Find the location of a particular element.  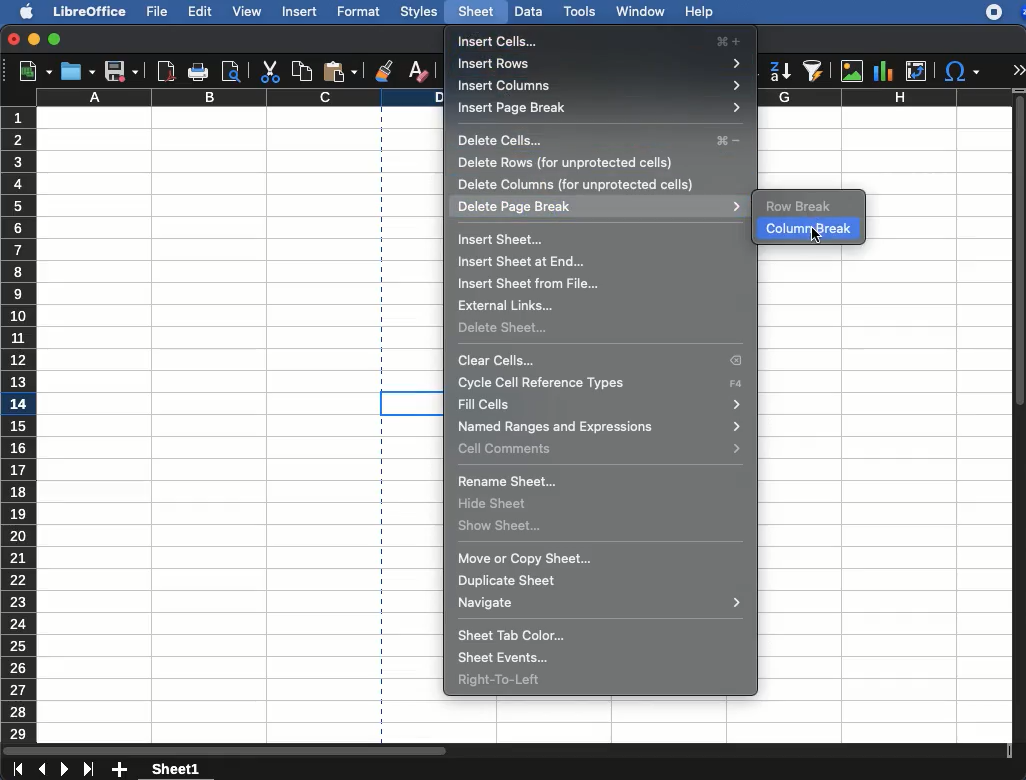

column is located at coordinates (242, 98).